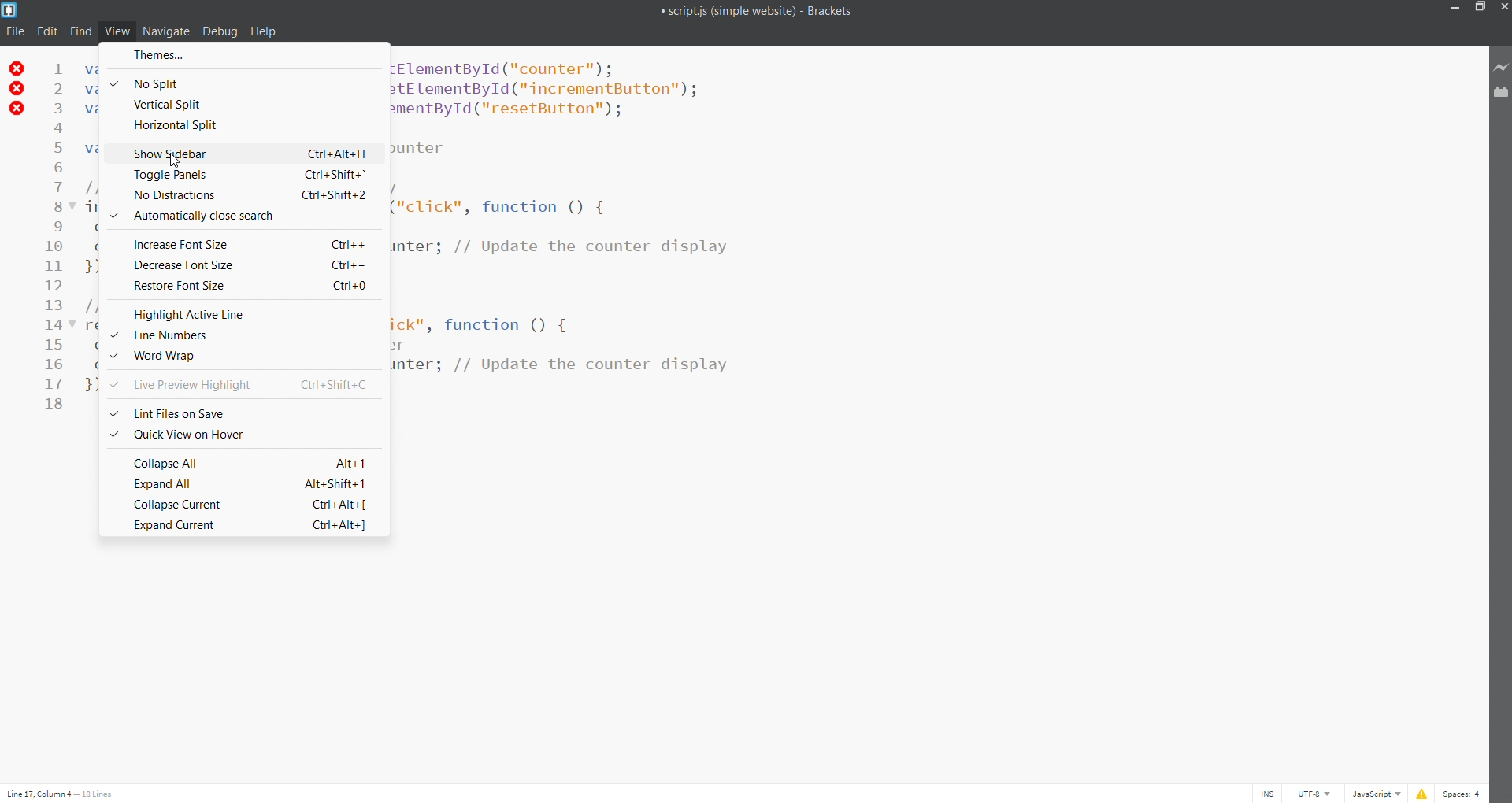 The width and height of the screenshot is (1512, 803). I want to click on lint files on save, so click(171, 411).